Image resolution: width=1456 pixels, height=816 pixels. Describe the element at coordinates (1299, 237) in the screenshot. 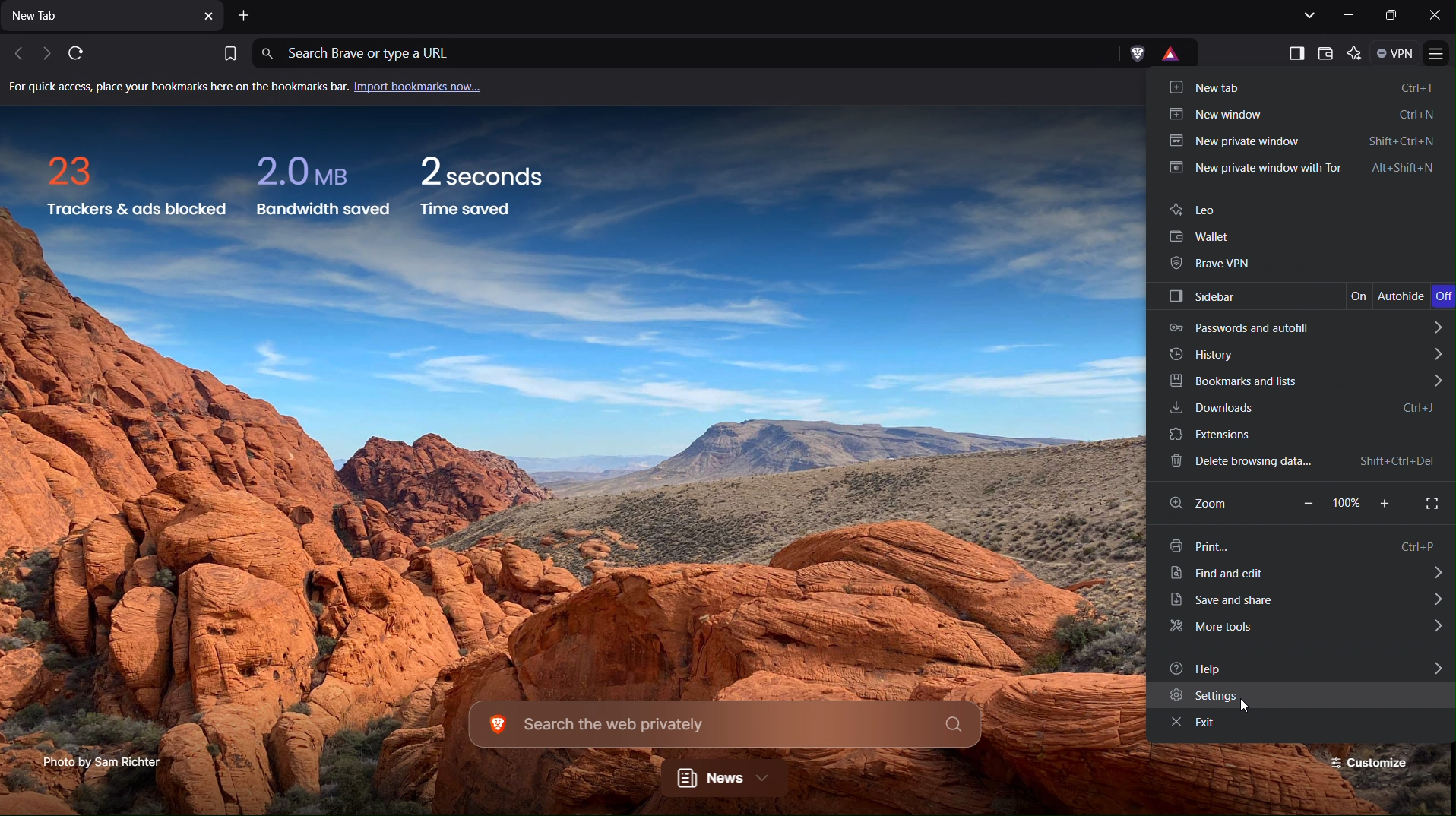

I see `Wallet` at that location.